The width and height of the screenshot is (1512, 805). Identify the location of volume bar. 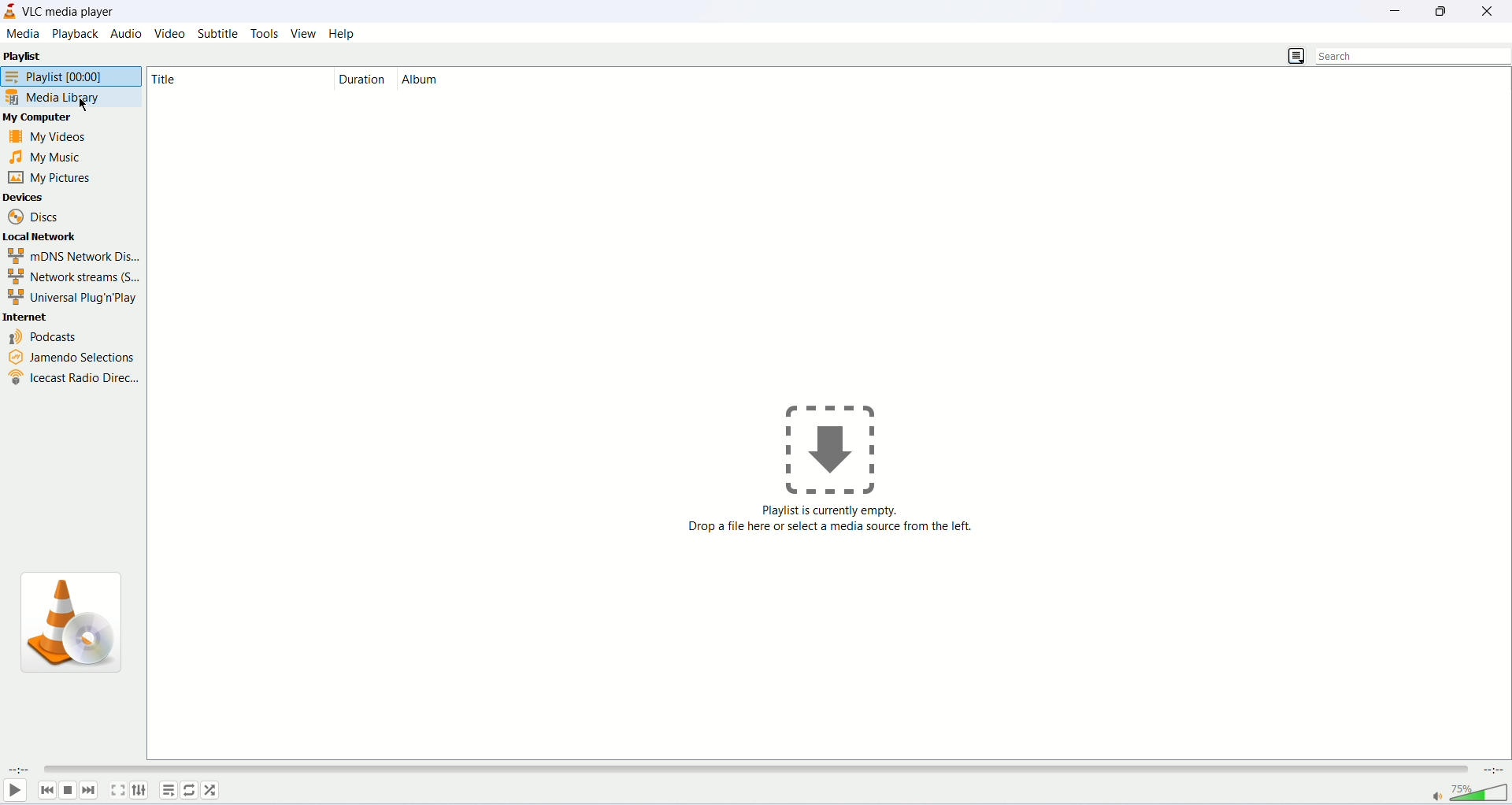
(1469, 791).